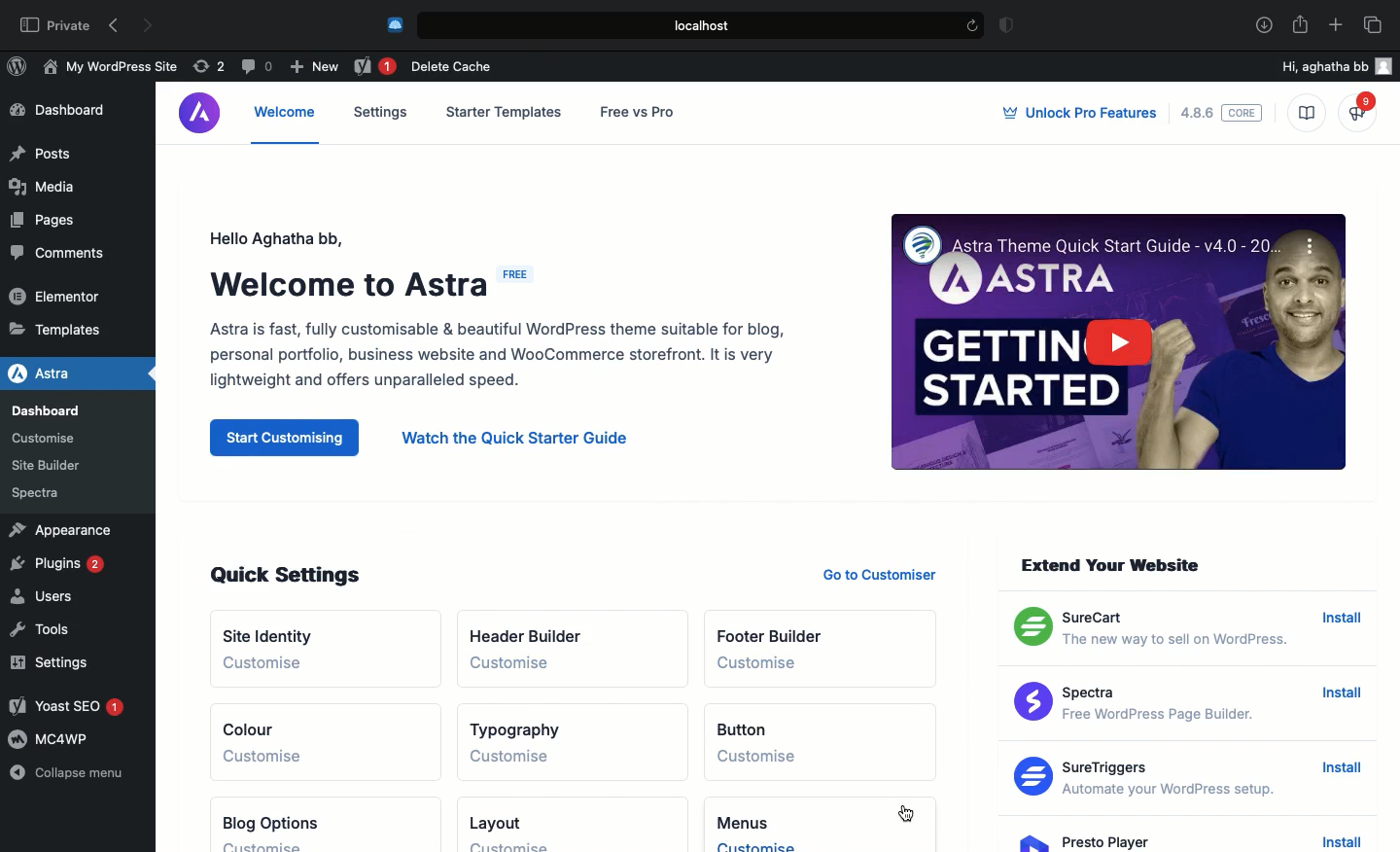 The height and width of the screenshot is (852, 1400). What do you see at coordinates (58, 253) in the screenshot?
I see `Comments` at bounding box center [58, 253].